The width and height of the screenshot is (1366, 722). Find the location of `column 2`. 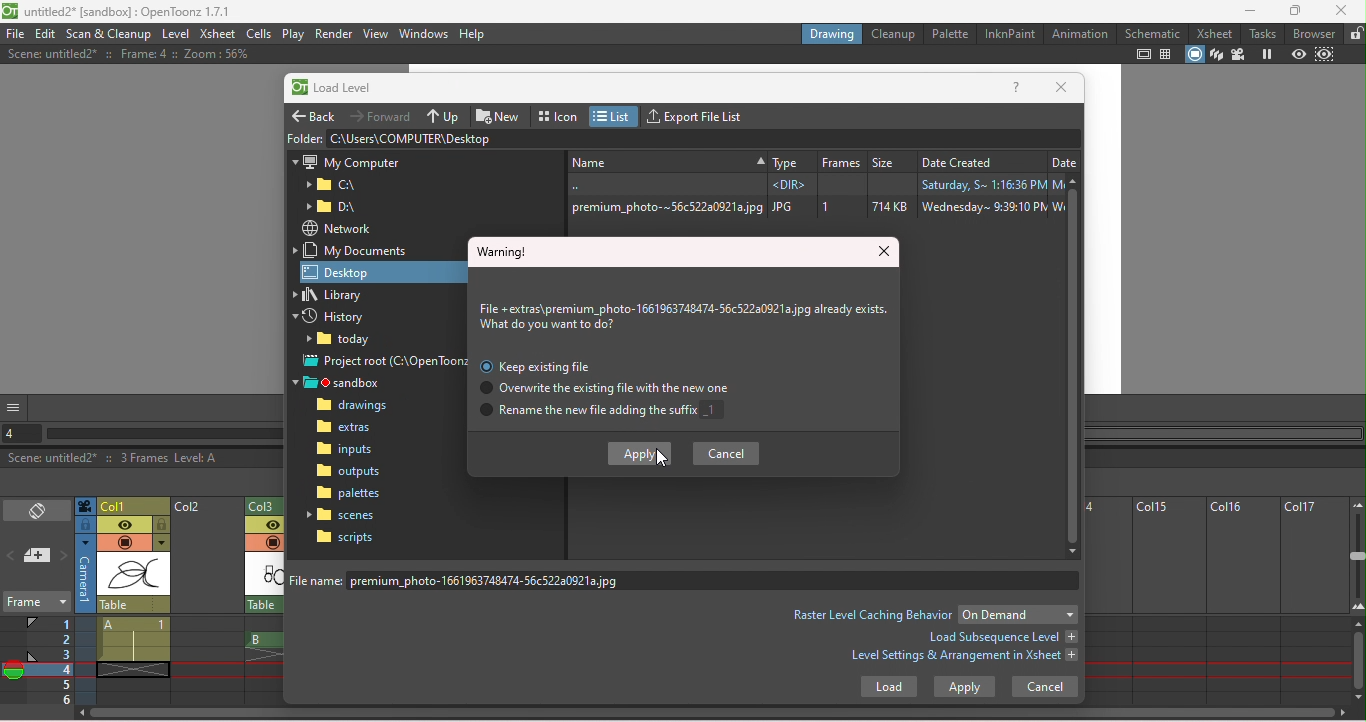

column 2 is located at coordinates (207, 602).